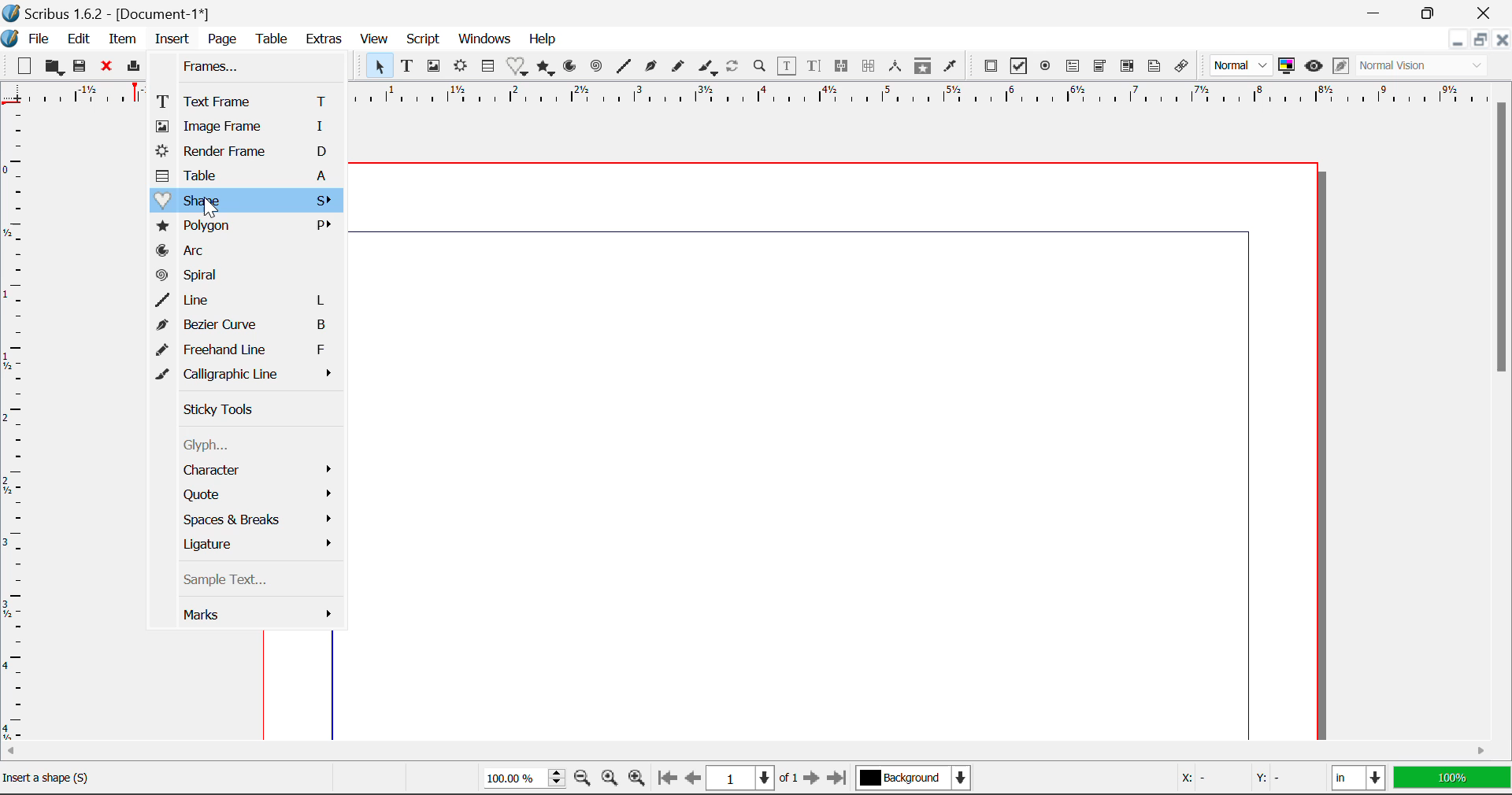 The height and width of the screenshot is (795, 1512). Describe the element at coordinates (1073, 68) in the screenshot. I see `Pdf Text Field` at that location.